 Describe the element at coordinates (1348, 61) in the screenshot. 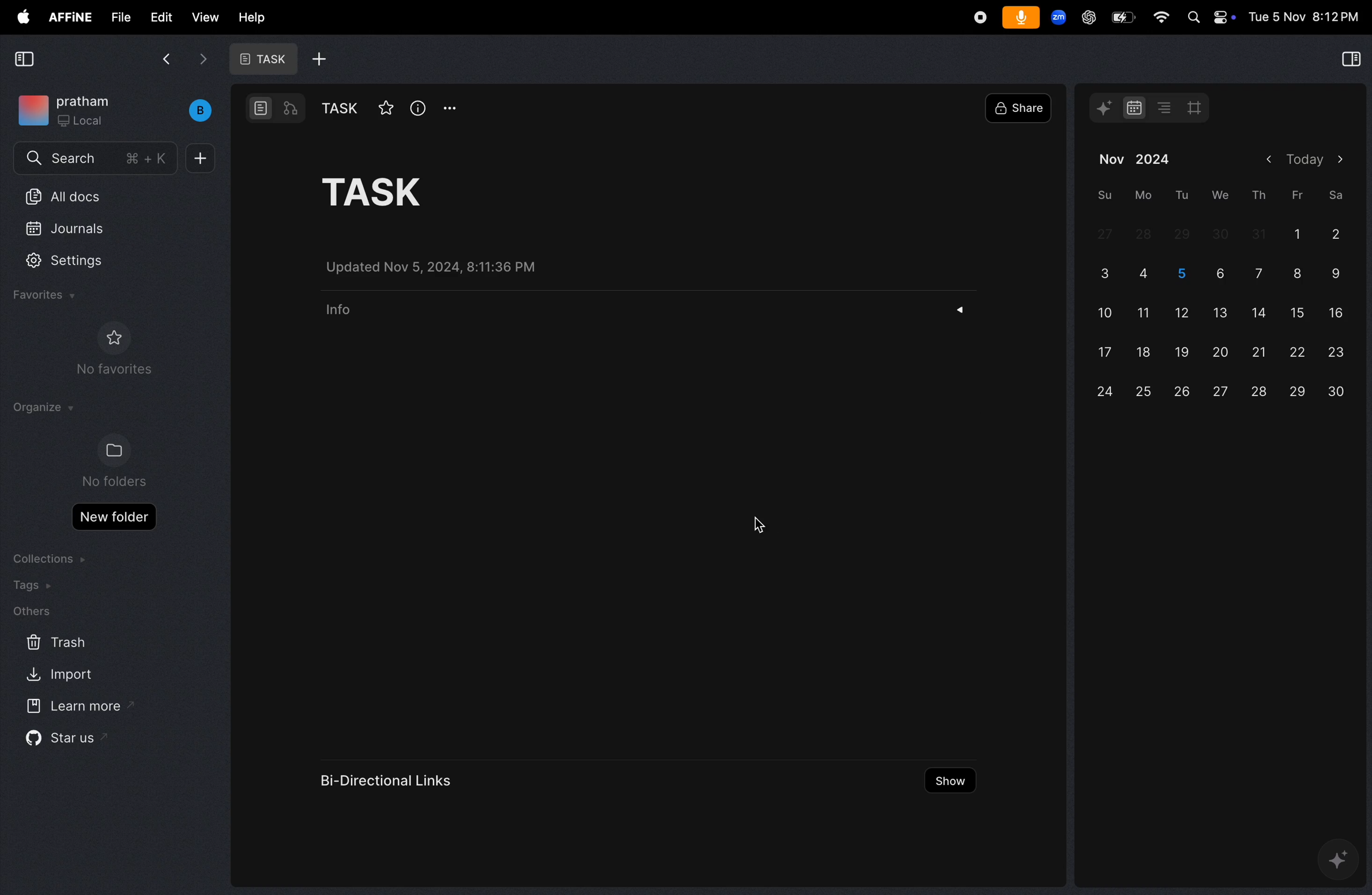

I see `side bar` at that location.